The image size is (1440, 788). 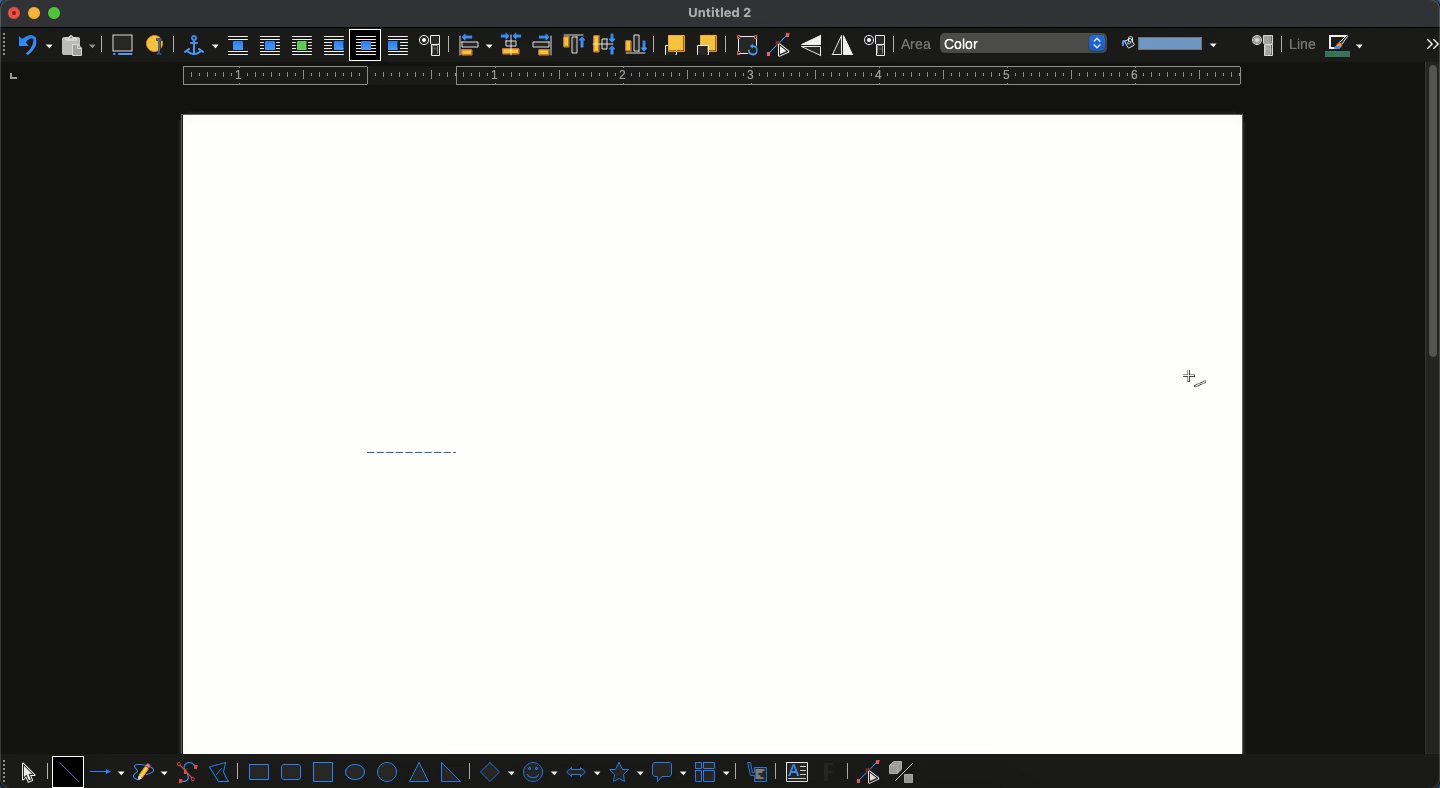 I want to click on right triangle, so click(x=450, y=771).